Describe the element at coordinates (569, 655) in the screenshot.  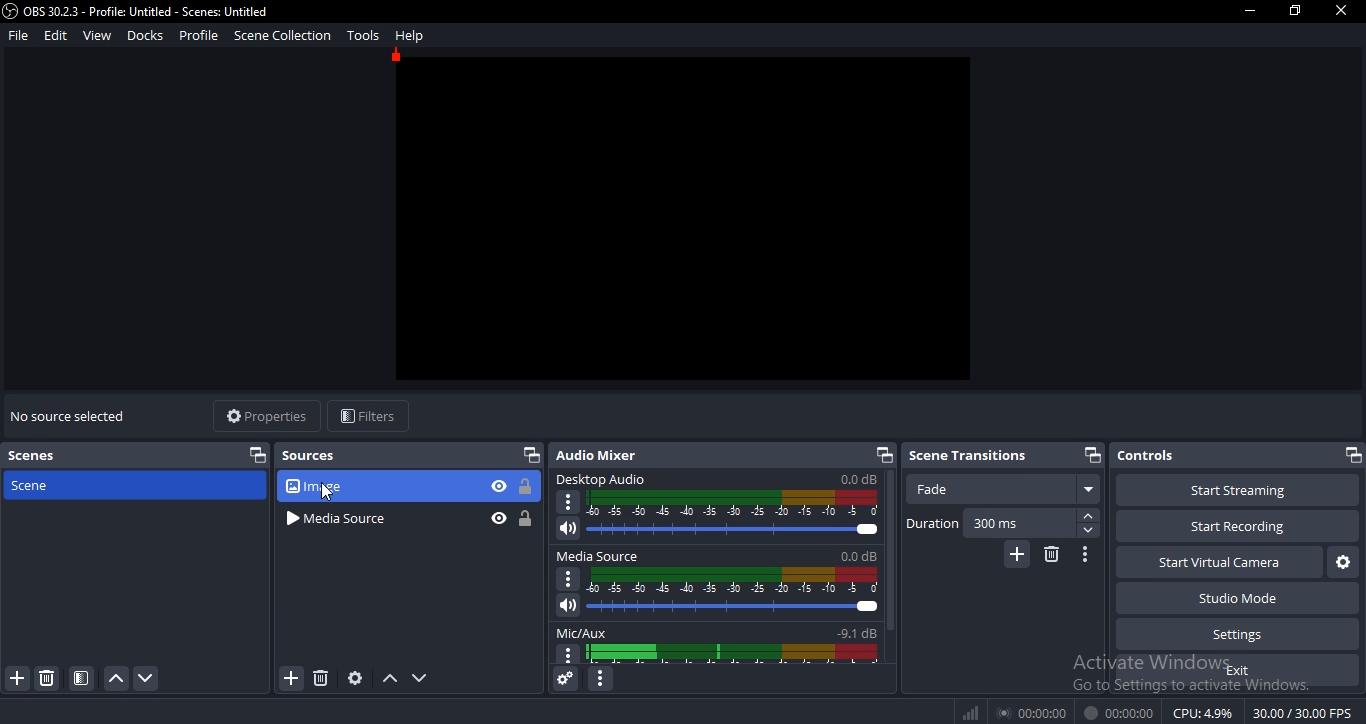
I see `options` at that location.